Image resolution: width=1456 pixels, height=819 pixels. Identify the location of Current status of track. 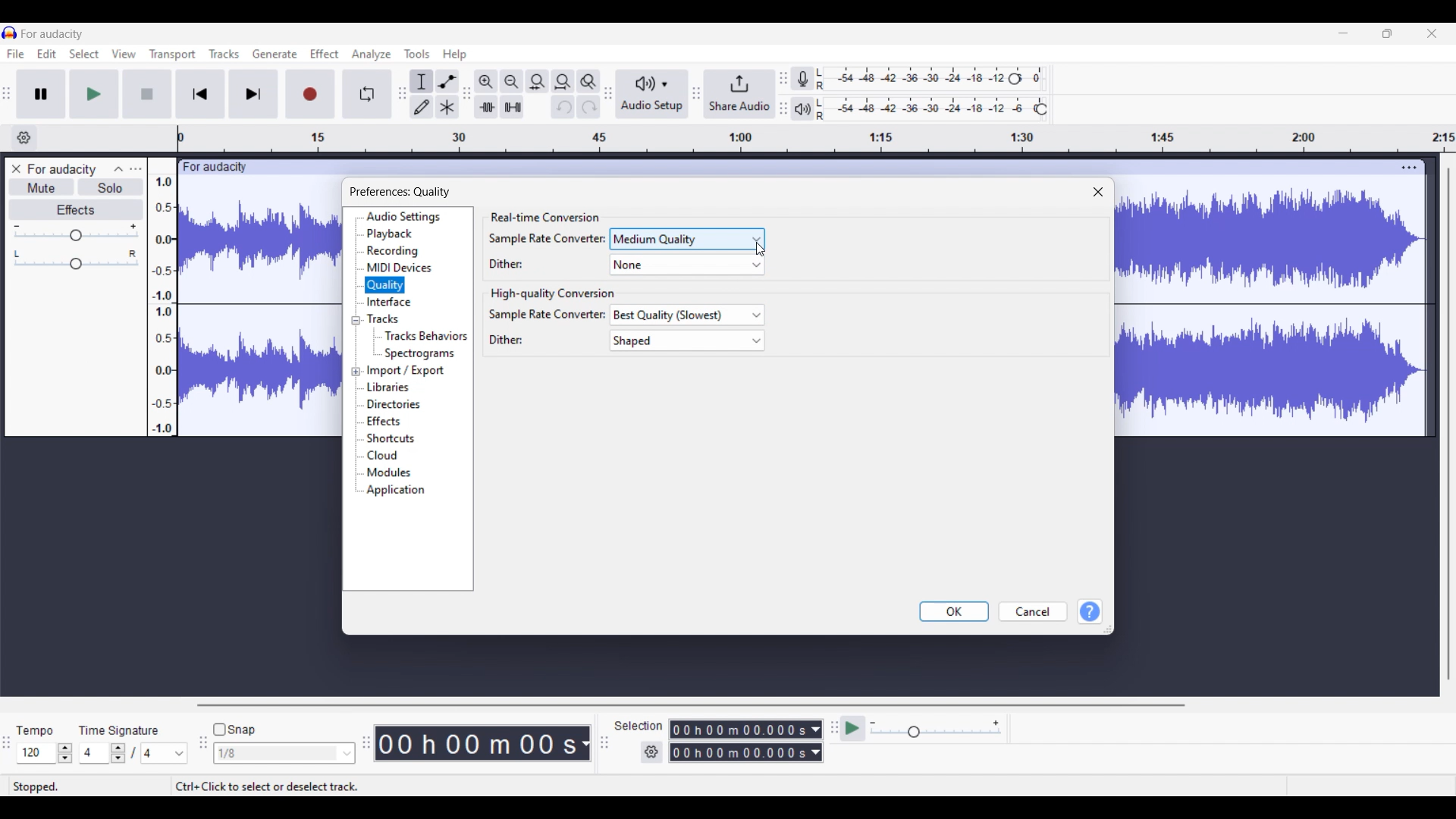
(36, 787).